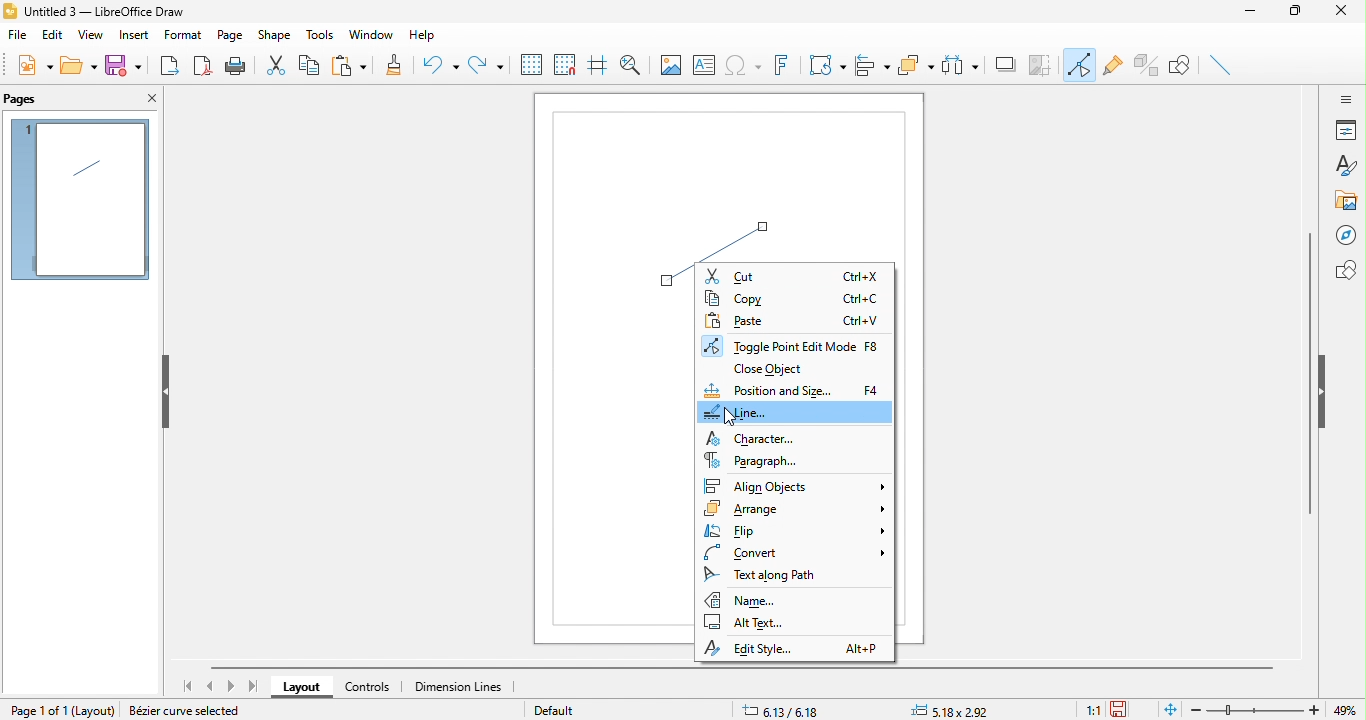 The image size is (1366, 720). Describe the element at coordinates (1007, 65) in the screenshot. I see `shadow` at that location.